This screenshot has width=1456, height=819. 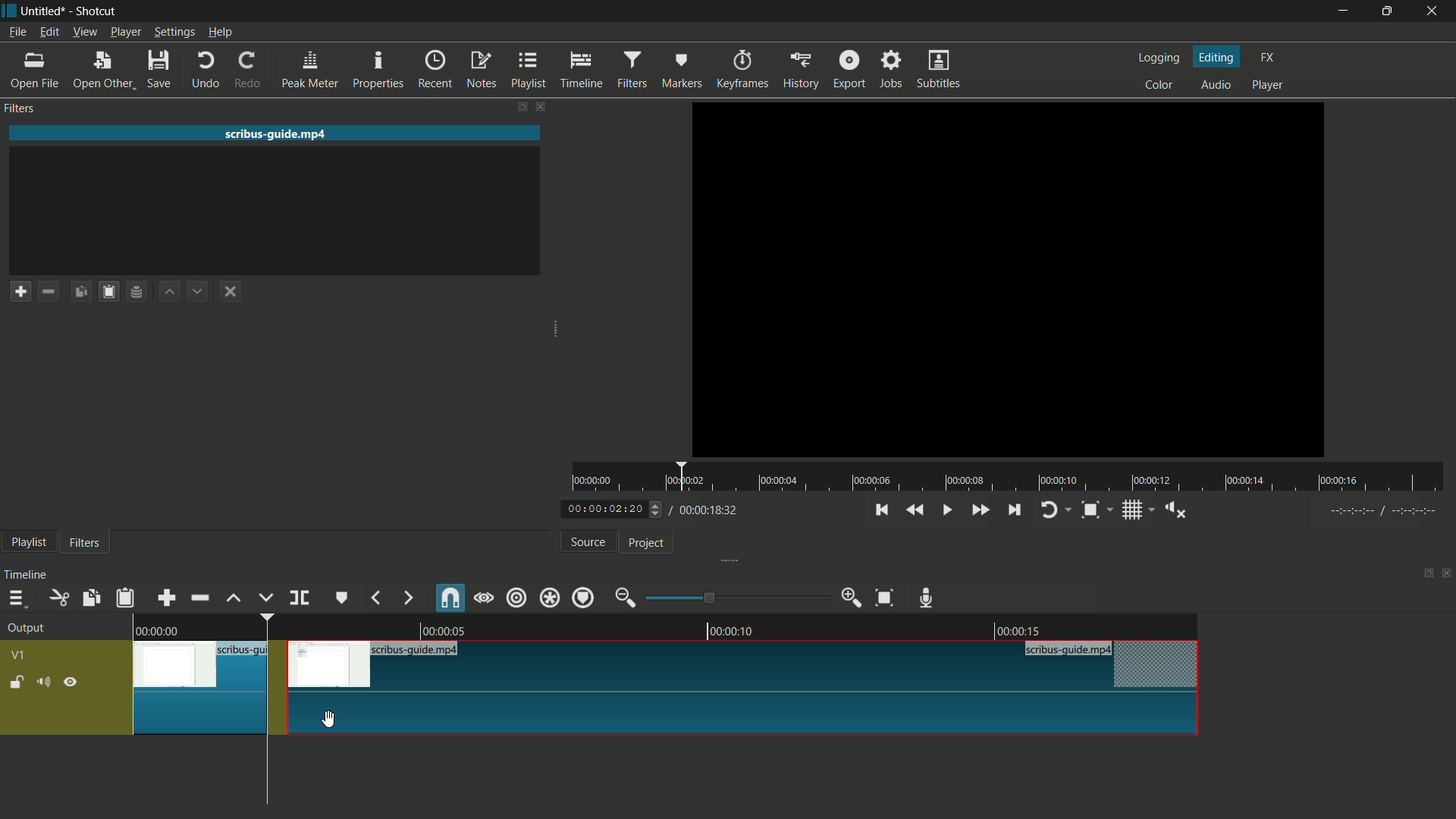 What do you see at coordinates (1218, 56) in the screenshot?
I see `editing` at bounding box center [1218, 56].